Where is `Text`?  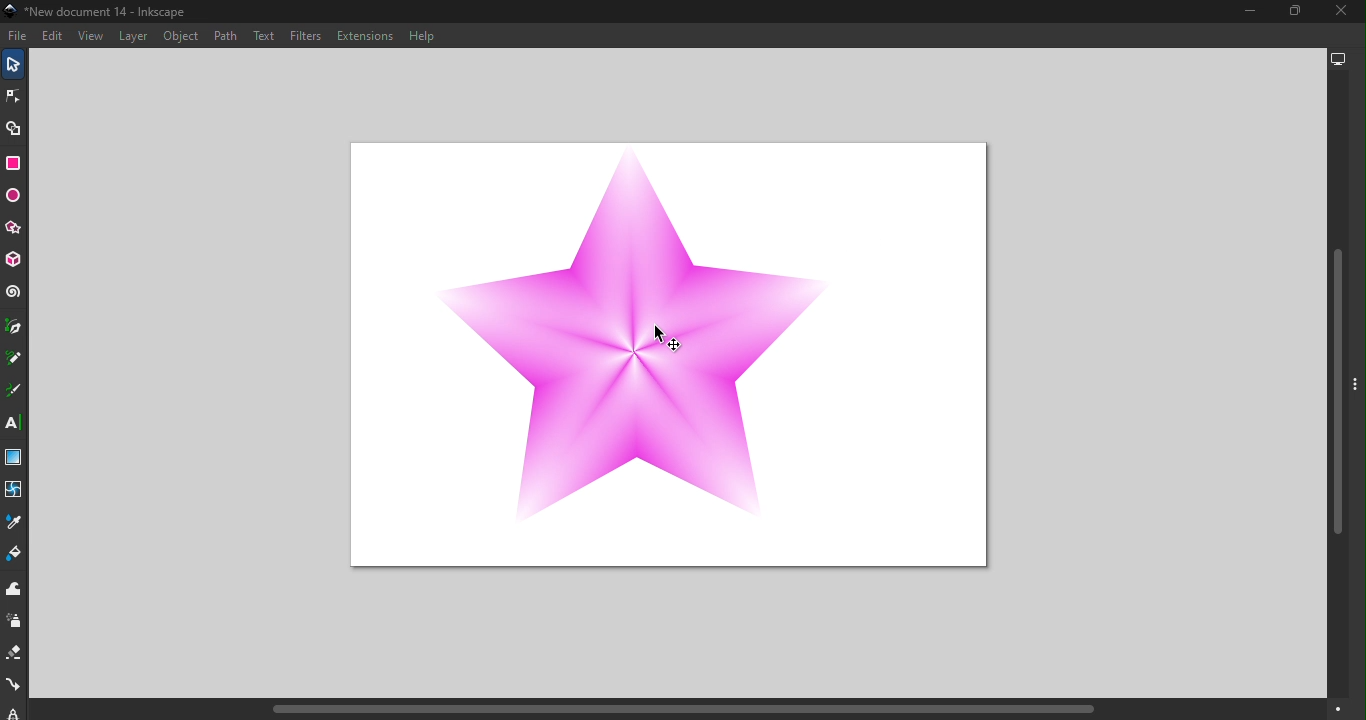
Text is located at coordinates (263, 35).